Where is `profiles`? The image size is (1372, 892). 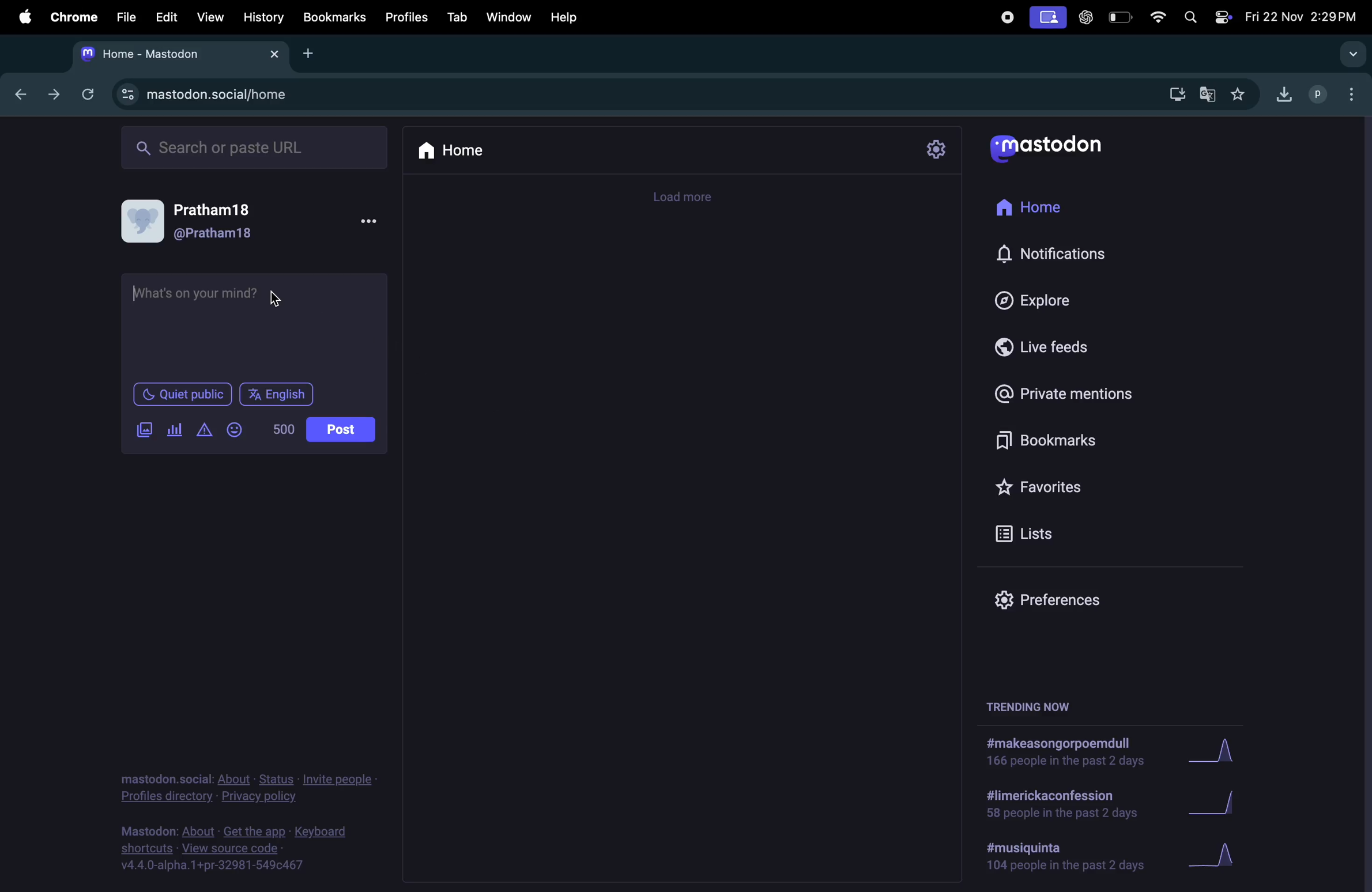 profiles is located at coordinates (1317, 95).